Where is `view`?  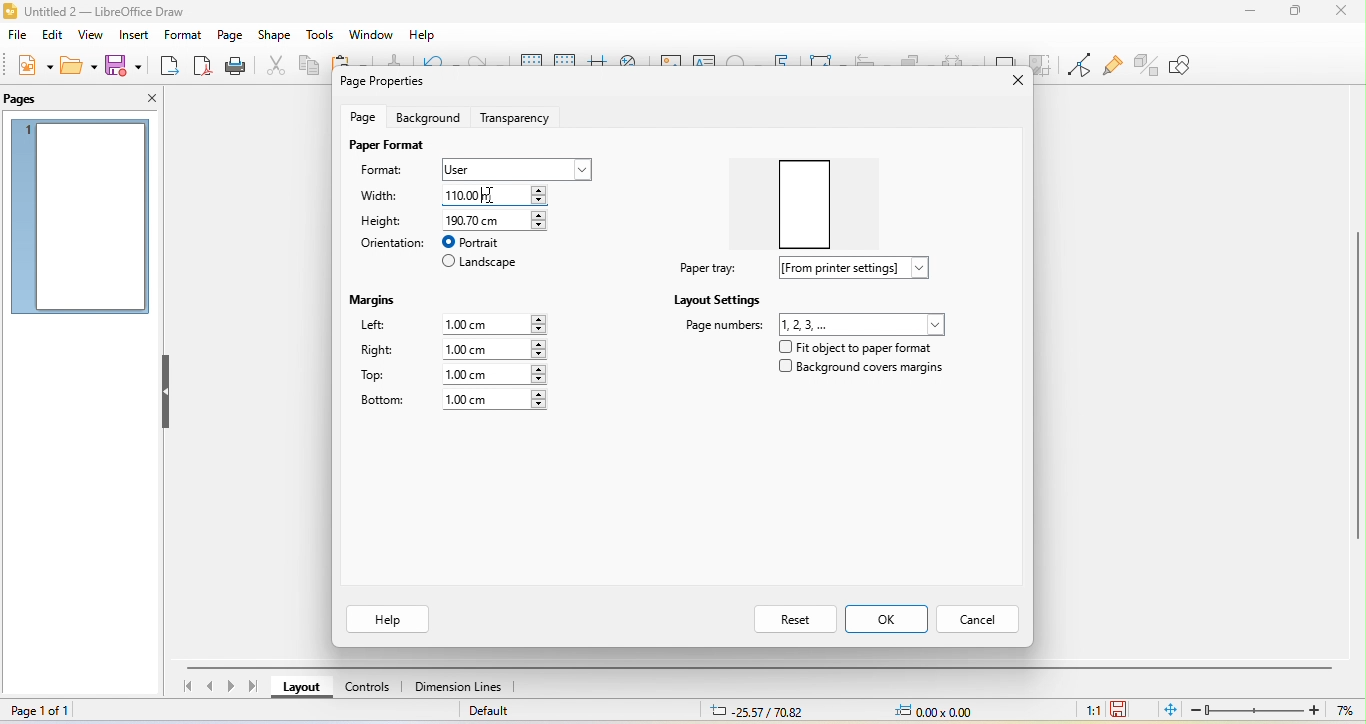 view is located at coordinates (89, 37).